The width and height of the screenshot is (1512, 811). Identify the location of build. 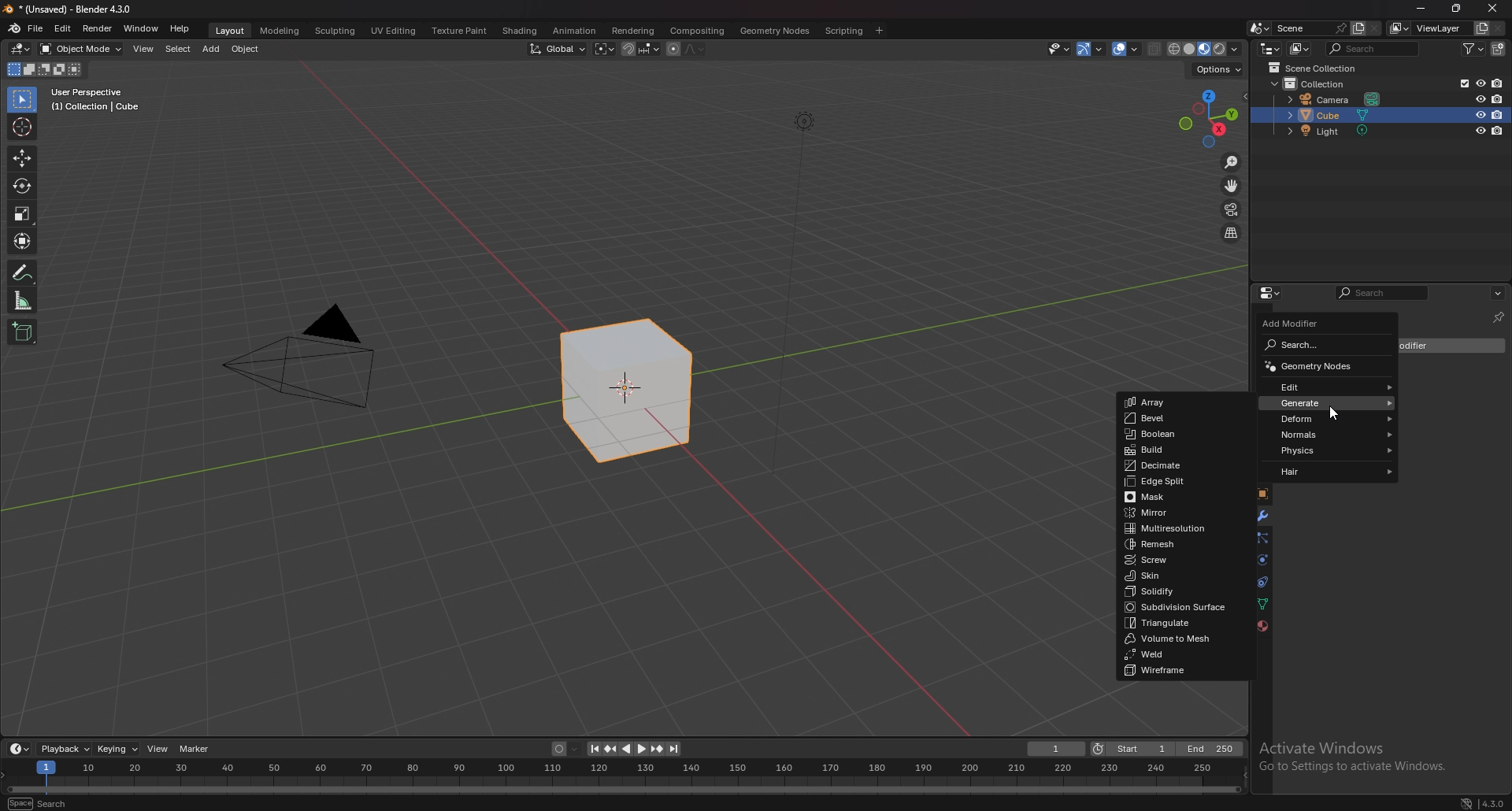
(1184, 450).